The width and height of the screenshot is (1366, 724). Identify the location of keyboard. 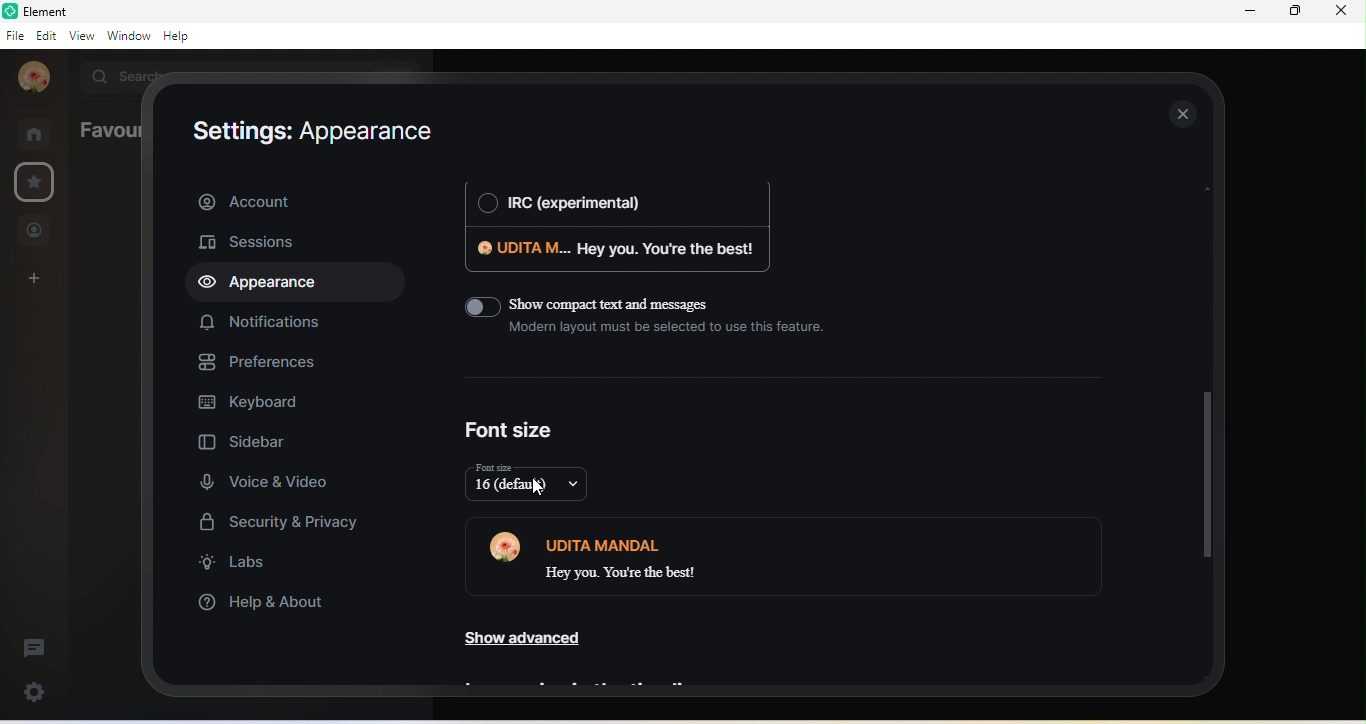
(251, 402).